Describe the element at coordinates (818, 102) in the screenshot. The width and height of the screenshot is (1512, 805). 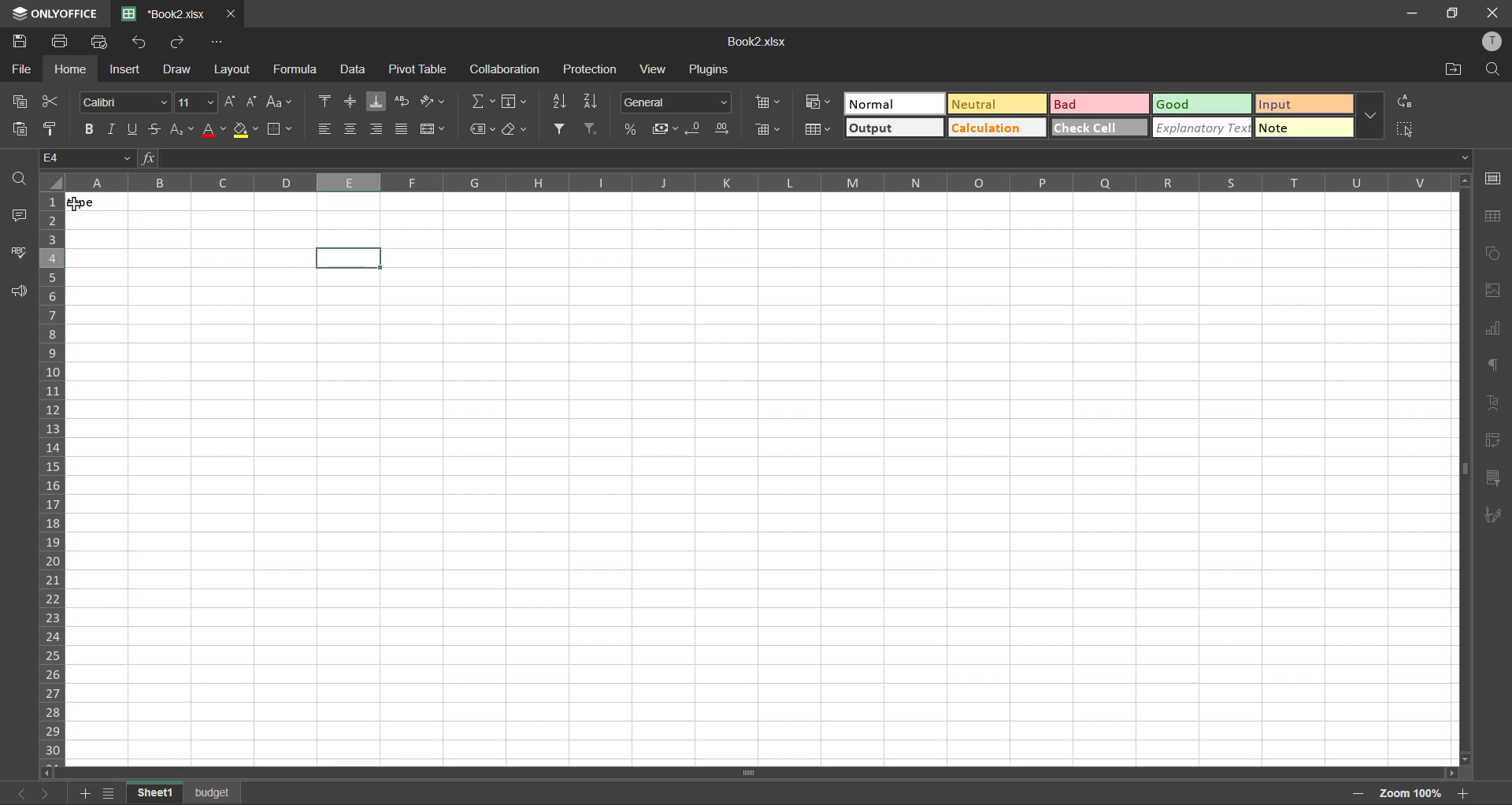
I see `conditional formatting` at that location.